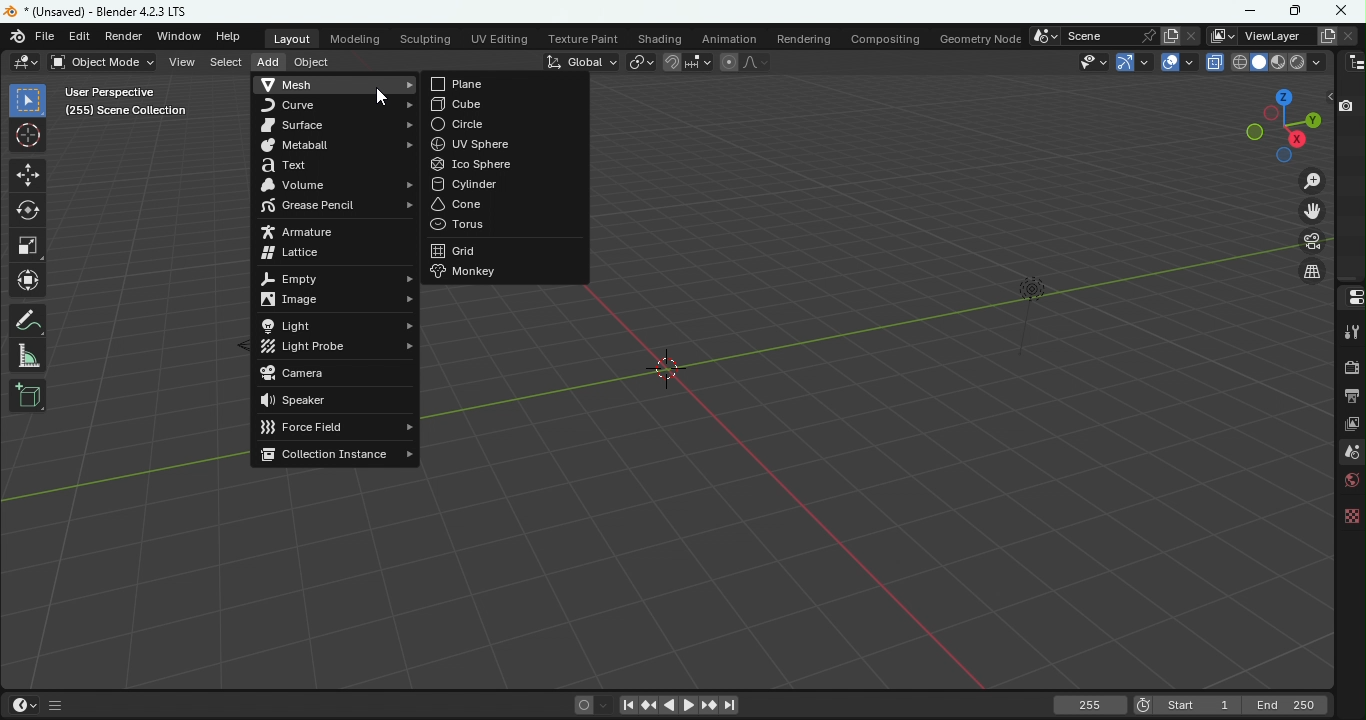 This screenshot has width=1366, height=720. Describe the element at coordinates (672, 60) in the screenshot. I see `Snap` at that location.